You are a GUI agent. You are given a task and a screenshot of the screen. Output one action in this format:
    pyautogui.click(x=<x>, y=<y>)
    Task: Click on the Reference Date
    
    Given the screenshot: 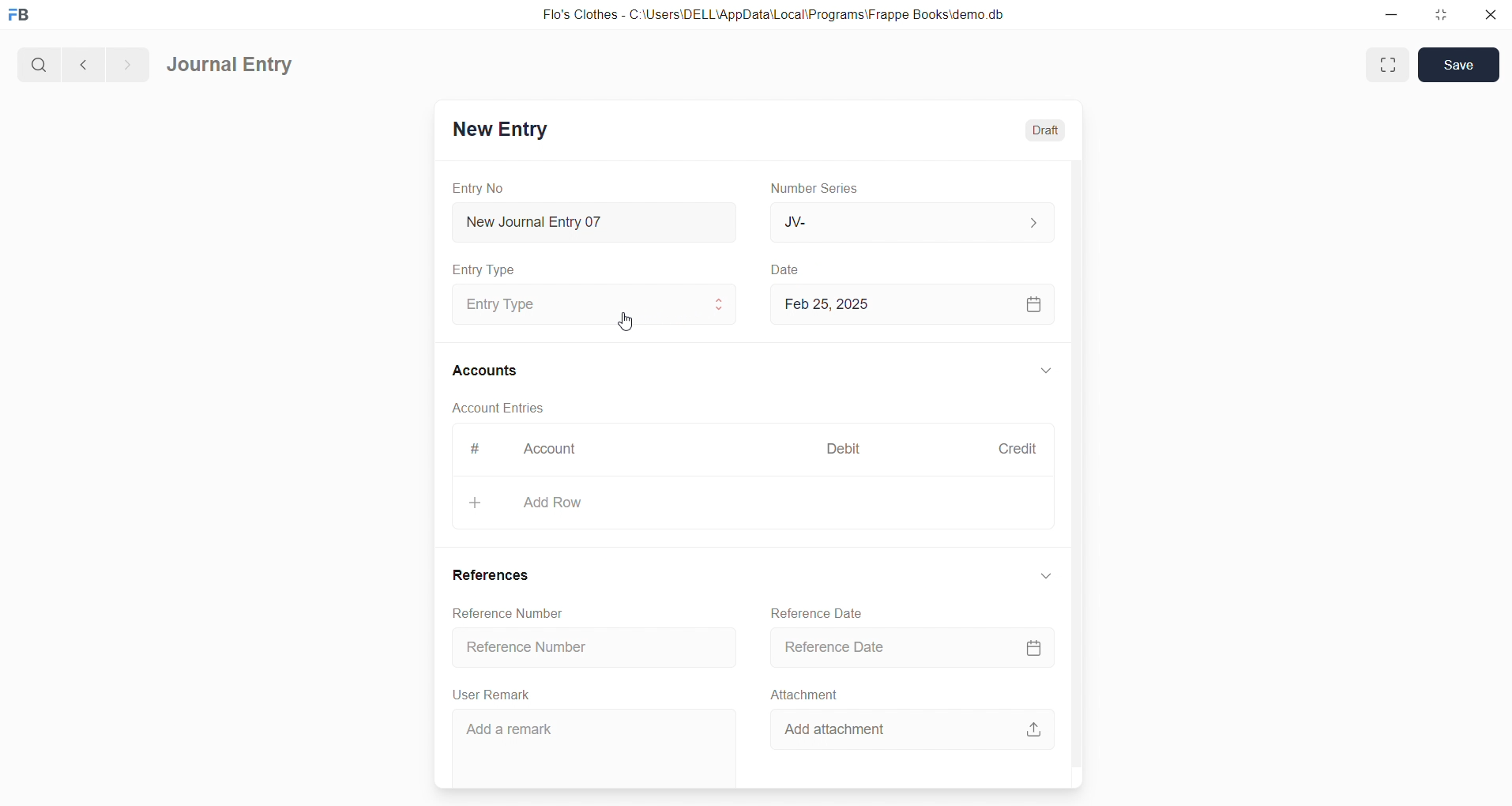 What is the action you would take?
    pyautogui.click(x=818, y=612)
    